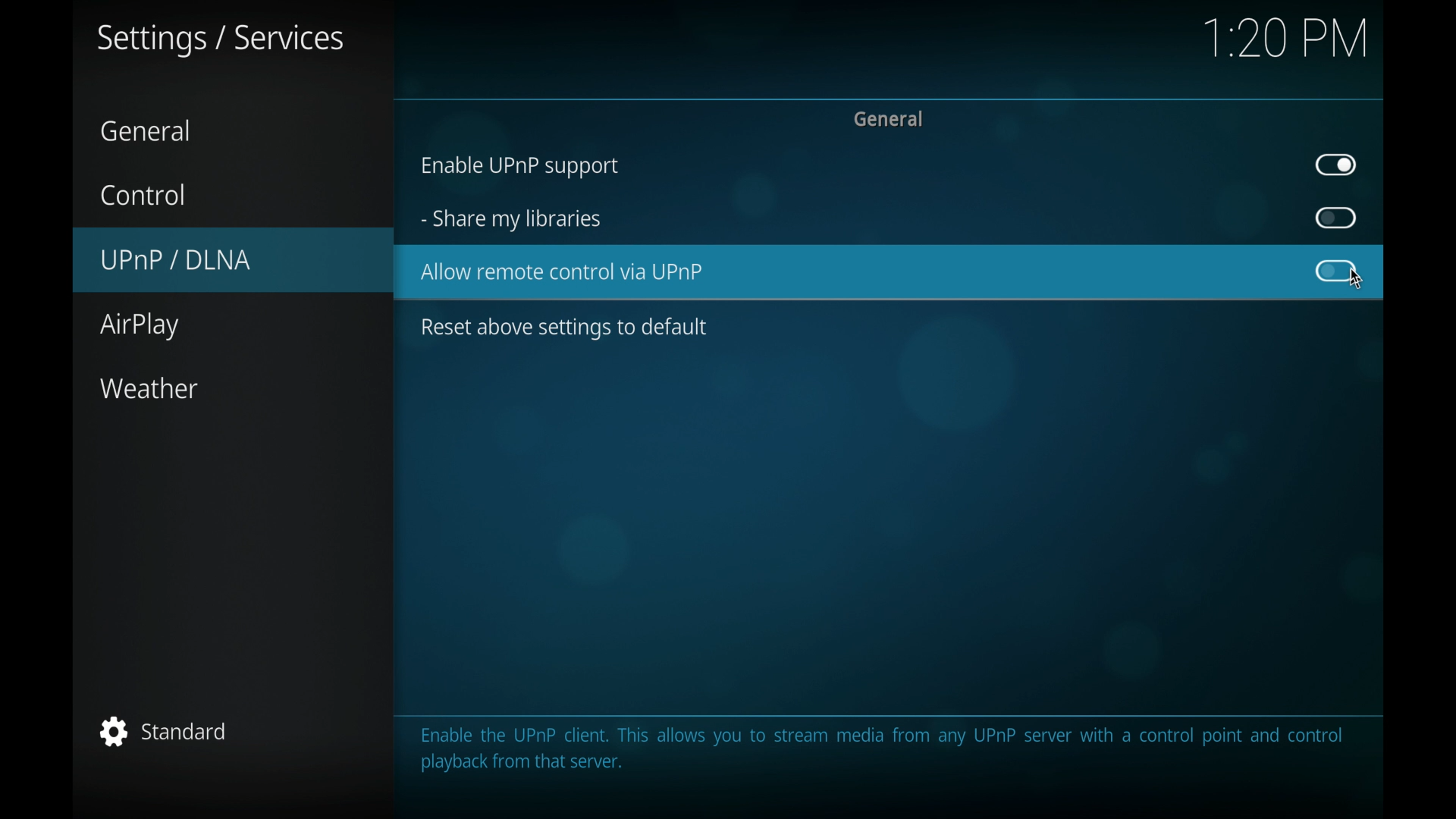 This screenshot has height=819, width=1456. Describe the element at coordinates (1336, 165) in the screenshot. I see `toggle button` at that location.